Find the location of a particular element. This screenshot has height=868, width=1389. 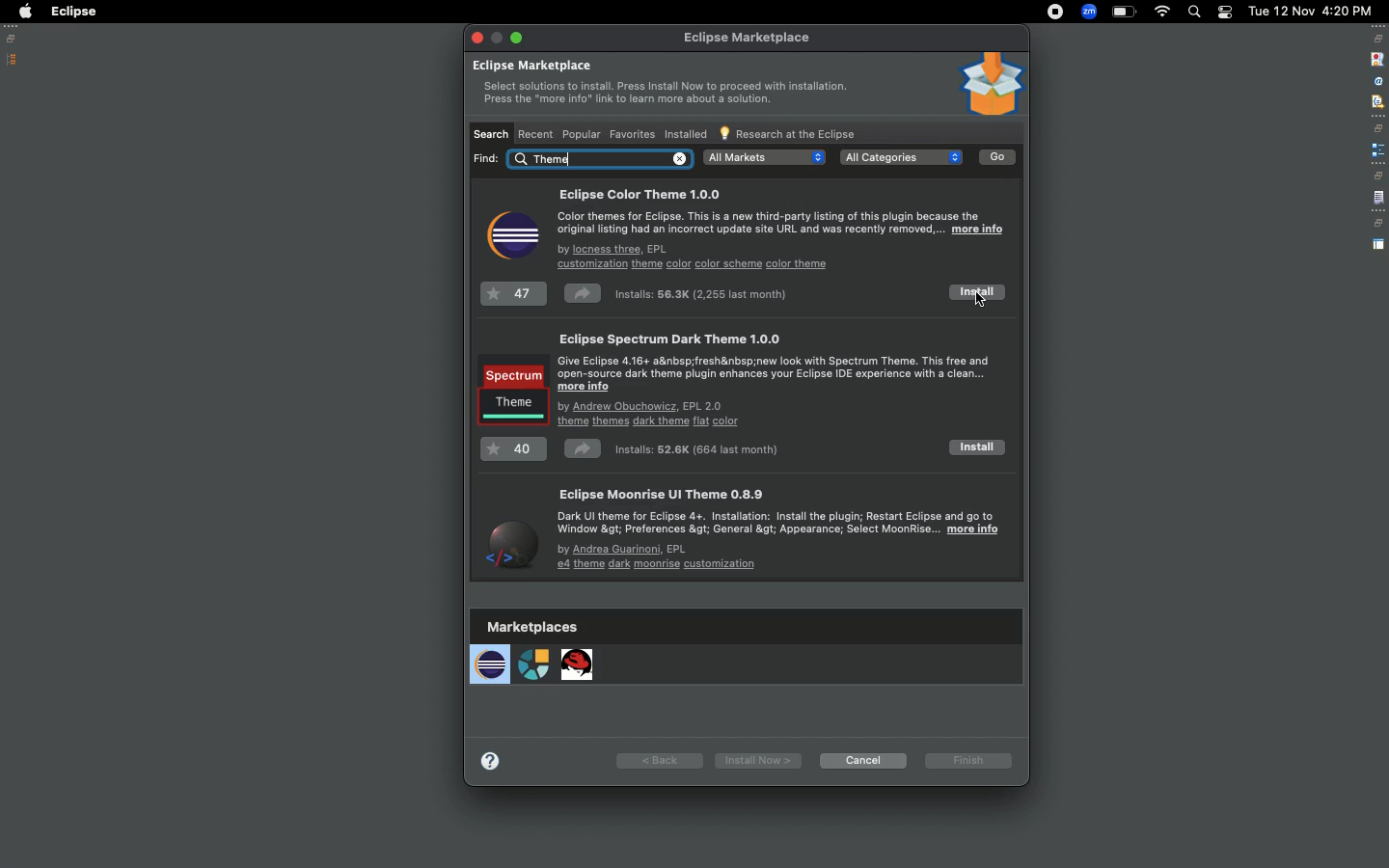

restore is located at coordinates (1378, 39).